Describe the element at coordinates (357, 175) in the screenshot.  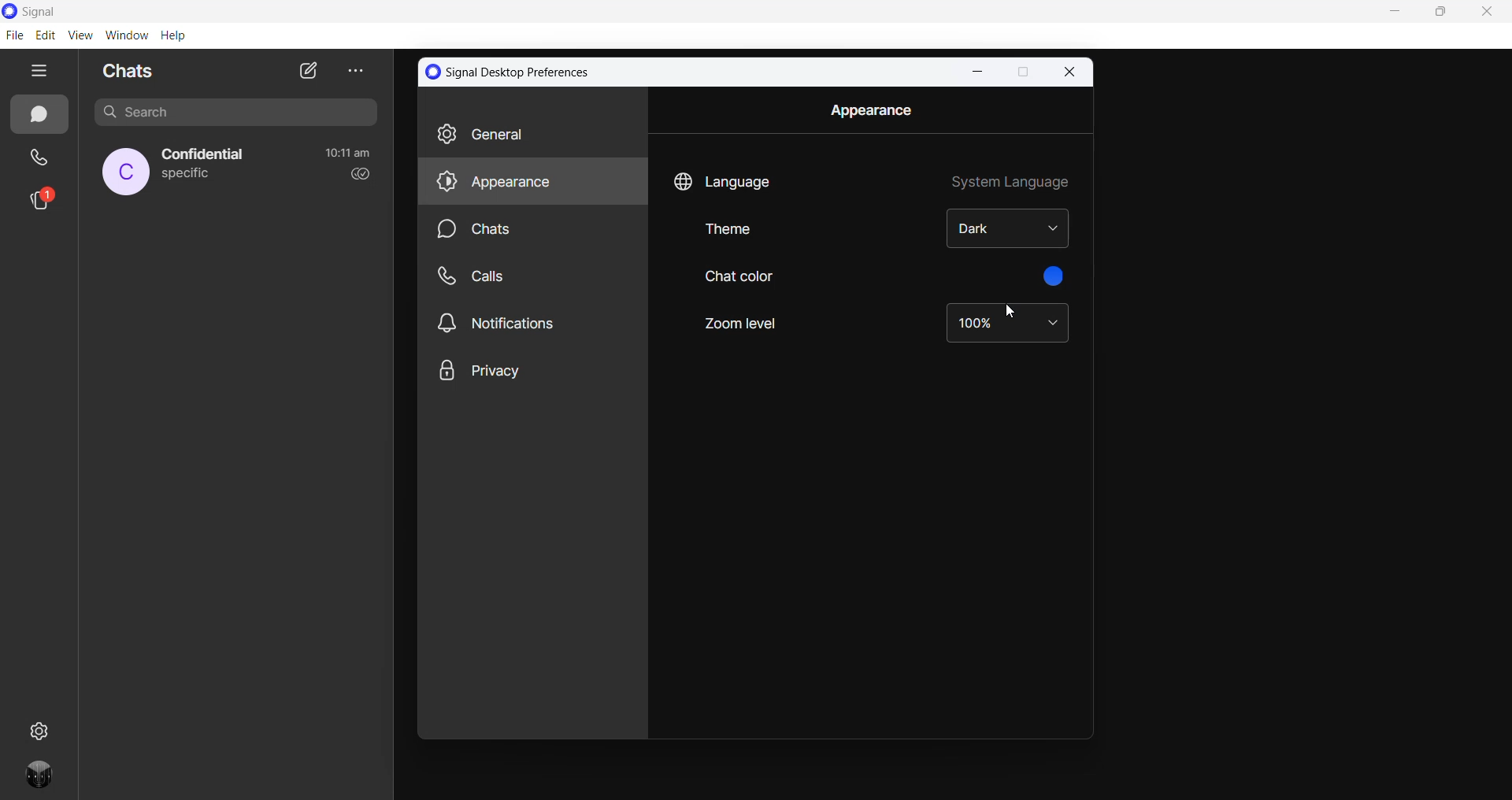
I see `read recipient` at that location.